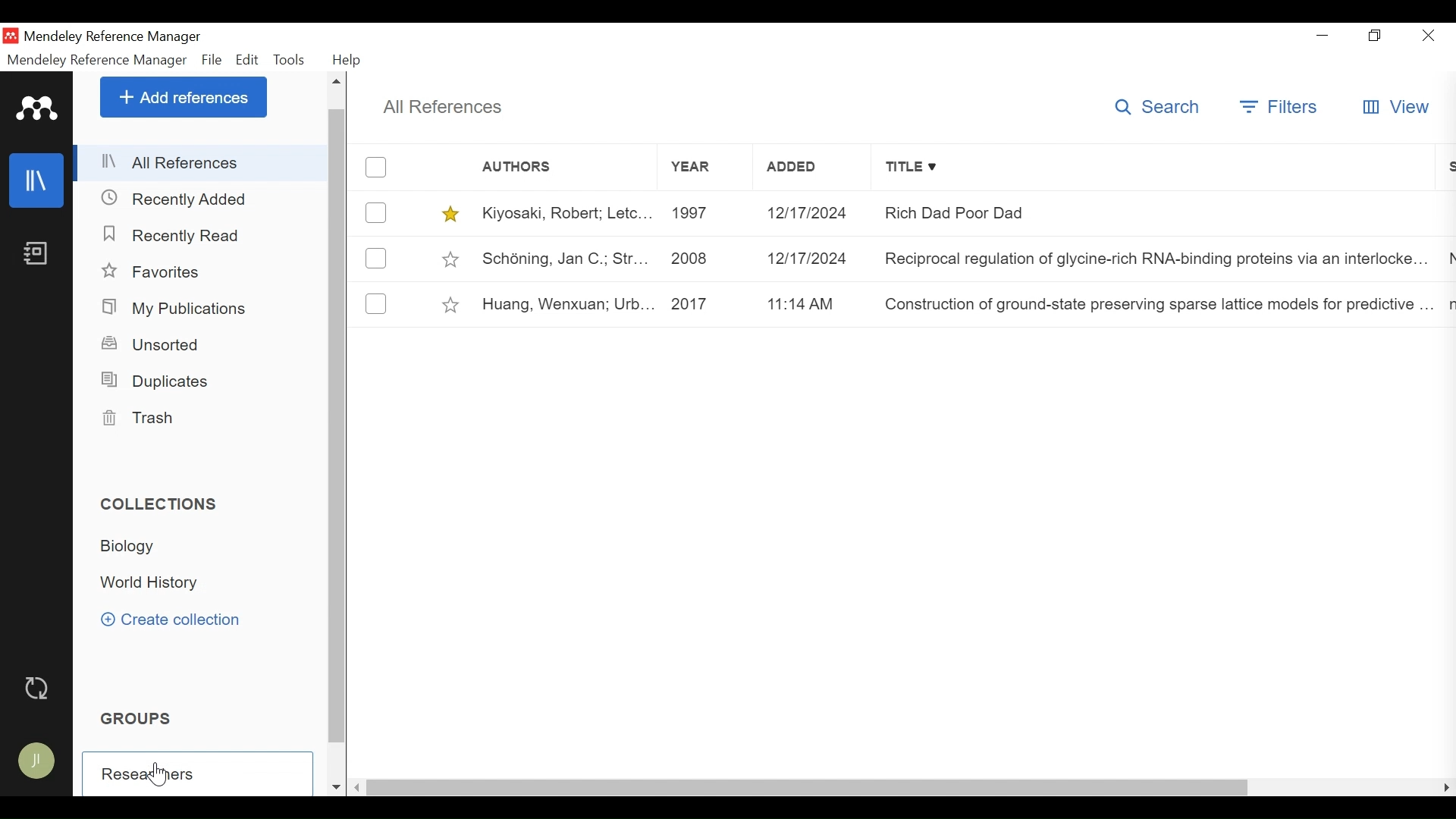  I want to click on toggle Favorites, so click(453, 304).